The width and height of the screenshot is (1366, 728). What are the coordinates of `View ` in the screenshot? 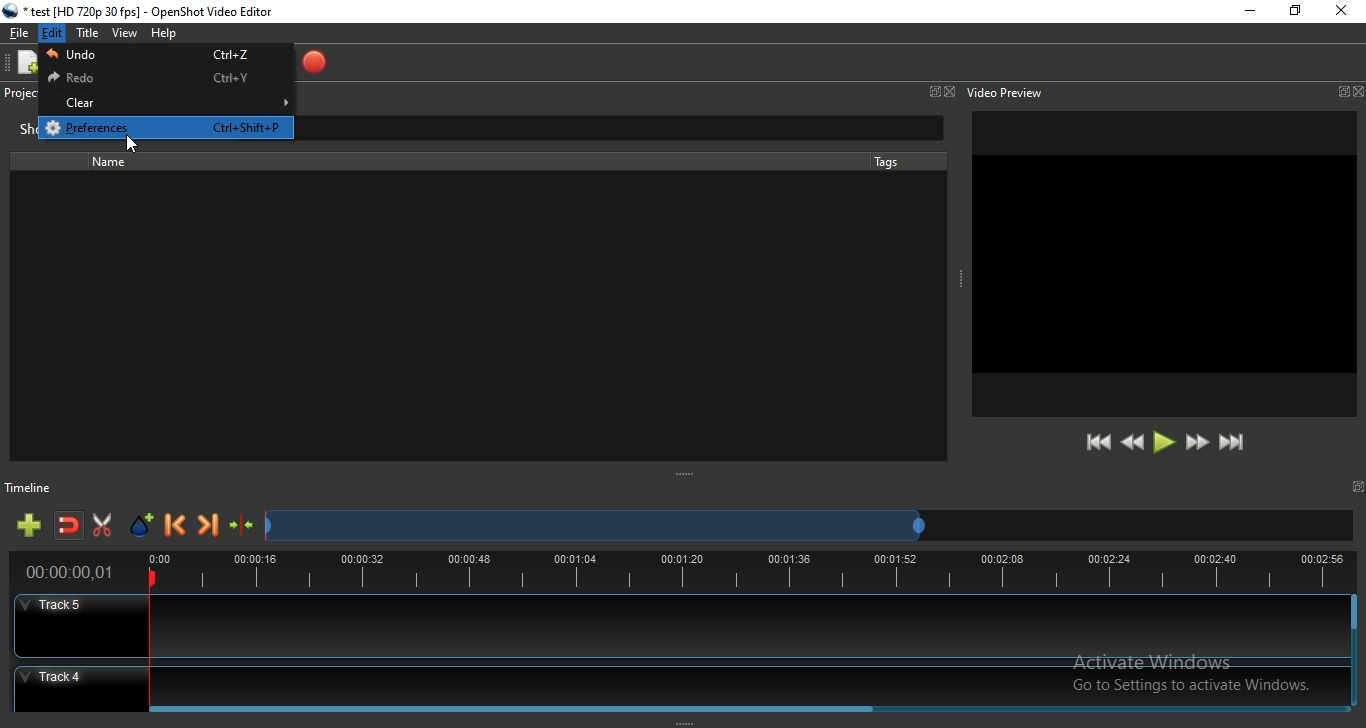 It's located at (125, 34).